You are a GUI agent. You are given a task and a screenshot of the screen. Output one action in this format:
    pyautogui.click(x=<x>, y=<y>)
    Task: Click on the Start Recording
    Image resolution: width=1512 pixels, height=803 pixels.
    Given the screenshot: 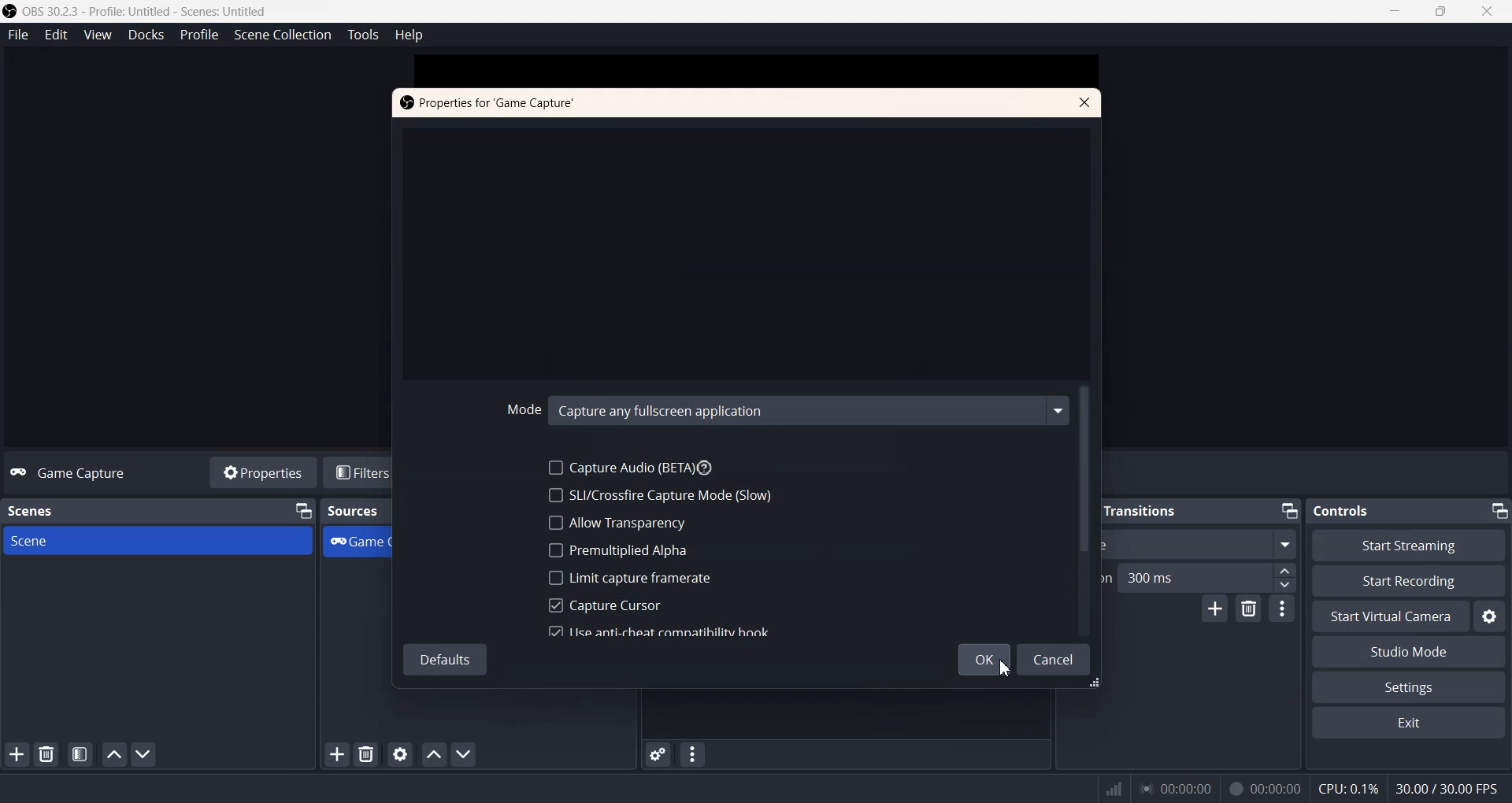 What is the action you would take?
    pyautogui.click(x=1408, y=580)
    